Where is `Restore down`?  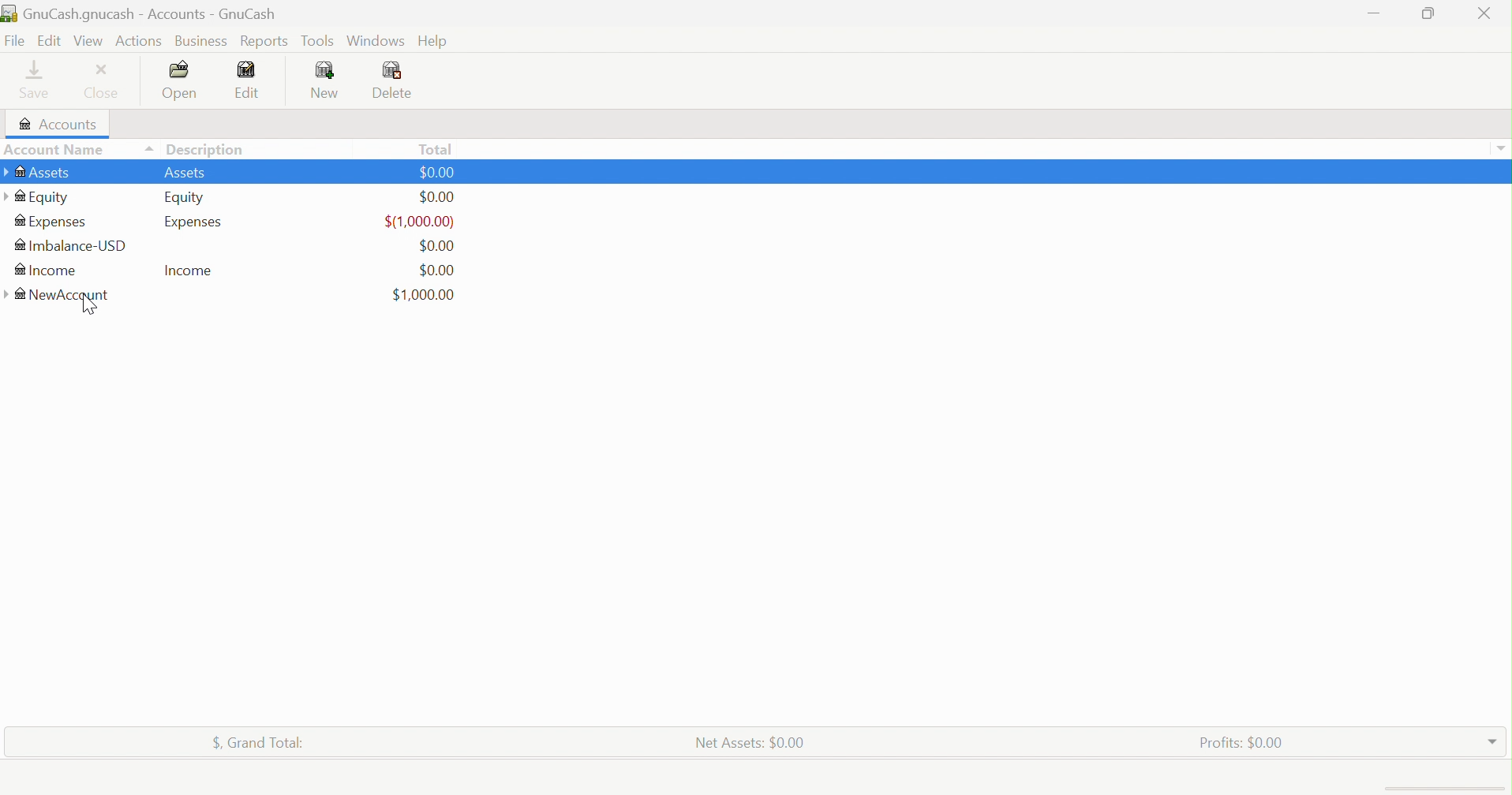
Restore down is located at coordinates (1429, 13).